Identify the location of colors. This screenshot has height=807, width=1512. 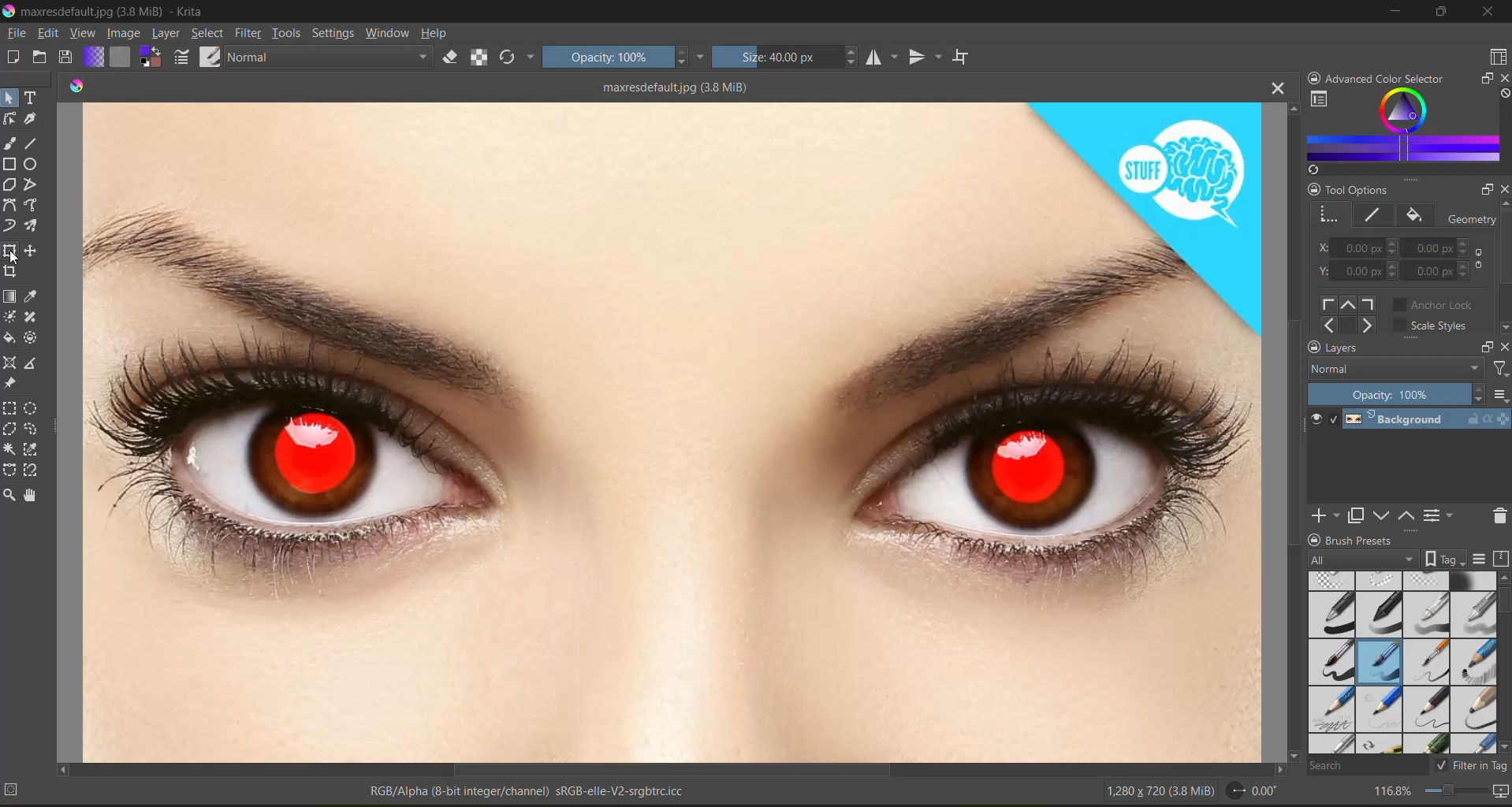
(79, 83).